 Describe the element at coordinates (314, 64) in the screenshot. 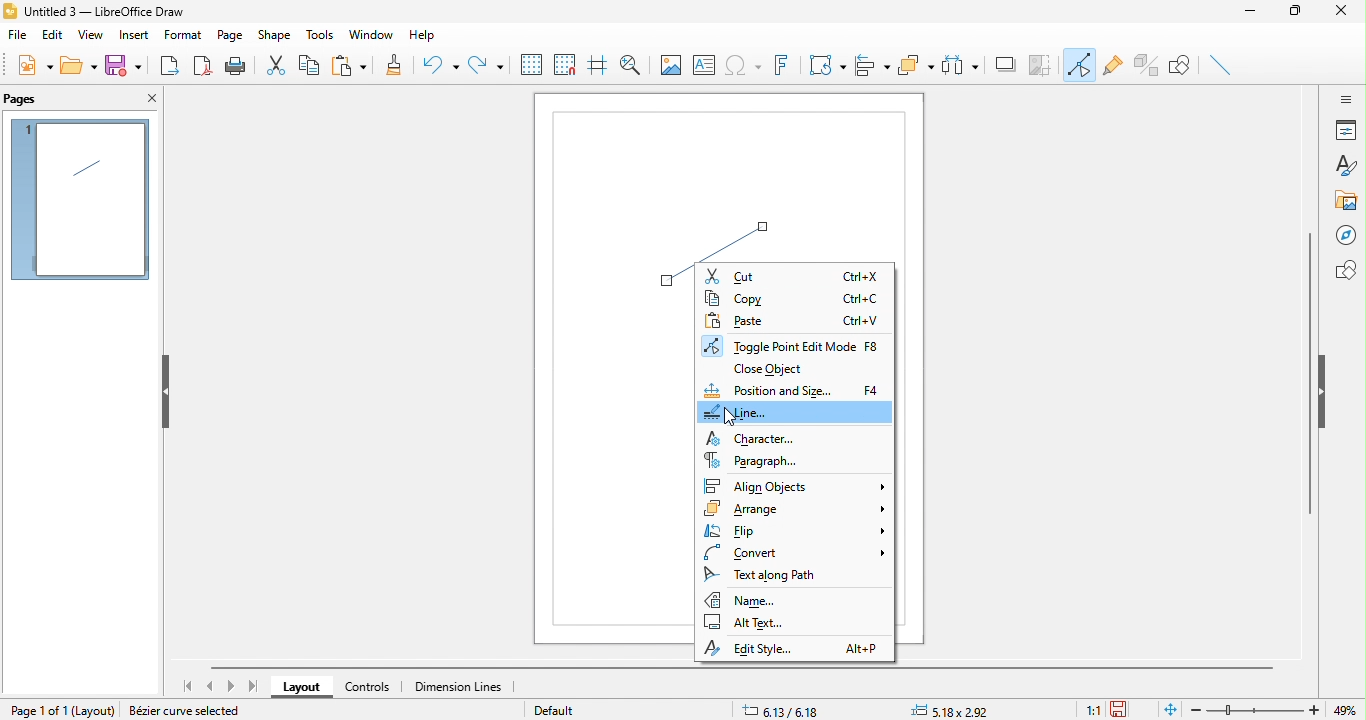

I see `copy` at that location.